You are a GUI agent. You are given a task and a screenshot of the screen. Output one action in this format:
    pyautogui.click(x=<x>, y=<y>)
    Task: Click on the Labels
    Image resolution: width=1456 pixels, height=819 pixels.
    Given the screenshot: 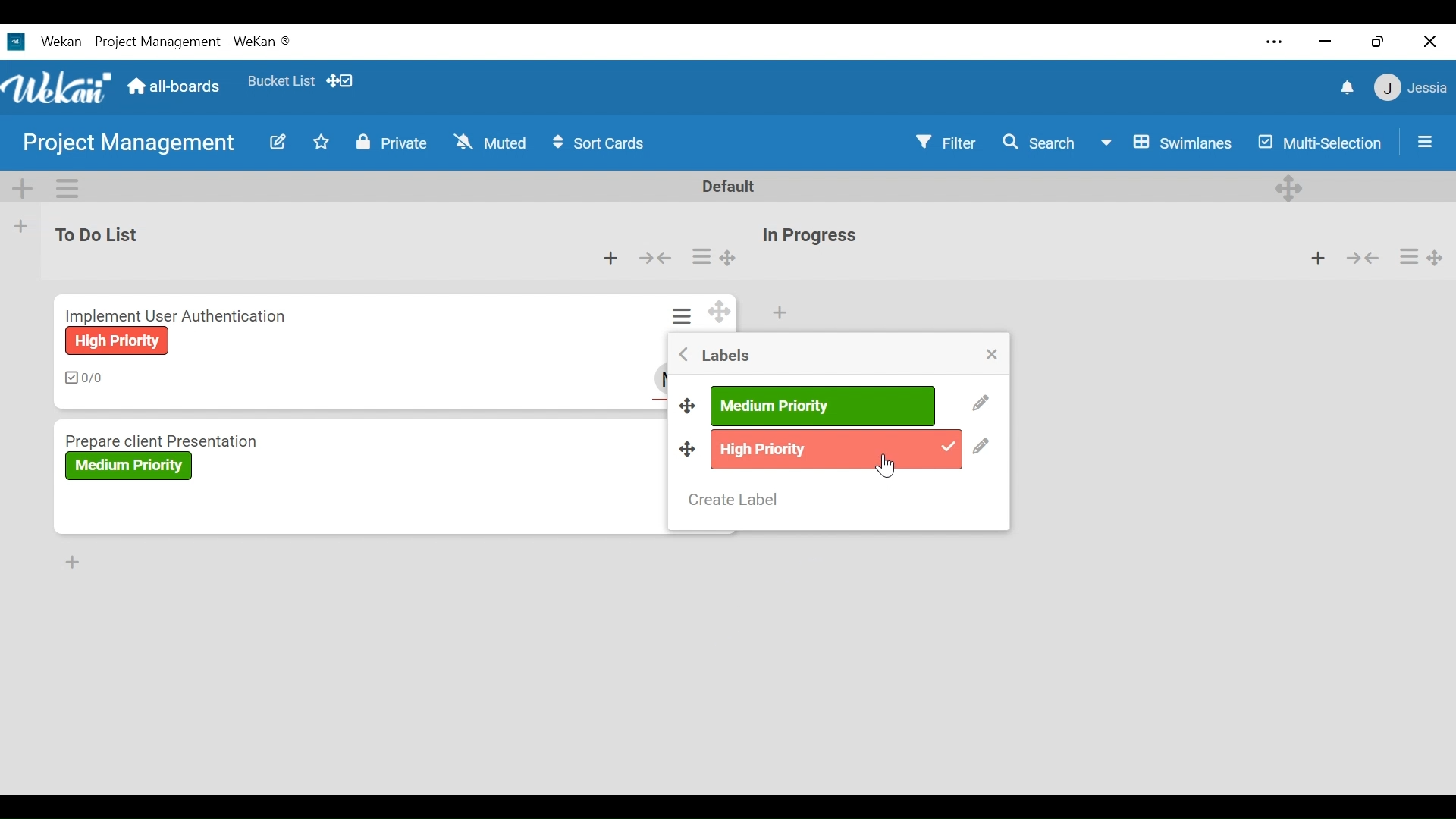 What is the action you would take?
    pyautogui.click(x=727, y=356)
    